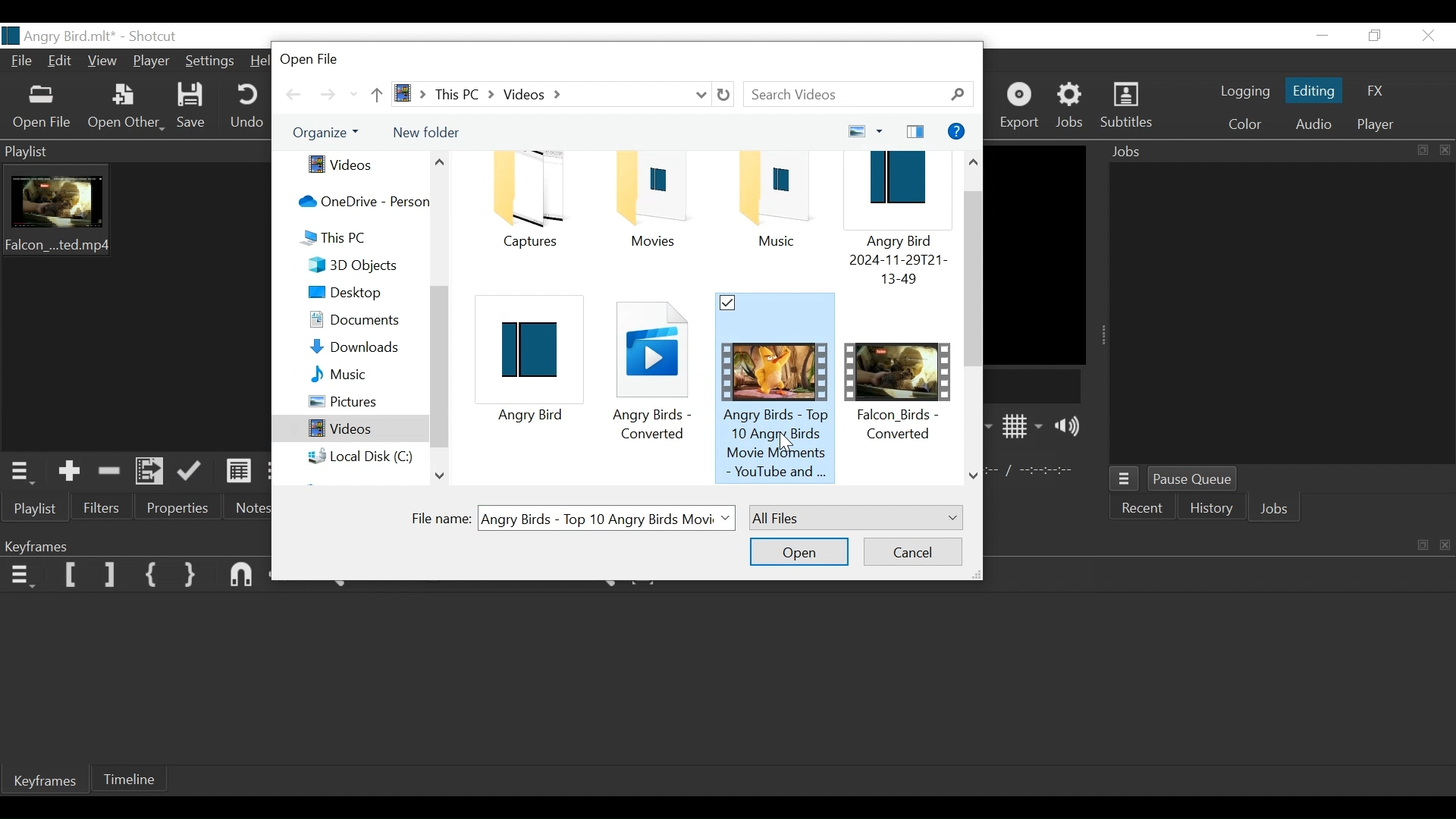 The image size is (1456, 819). What do you see at coordinates (1244, 91) in the screenshot?
I see `logging` at bounding box center [1244, 91].